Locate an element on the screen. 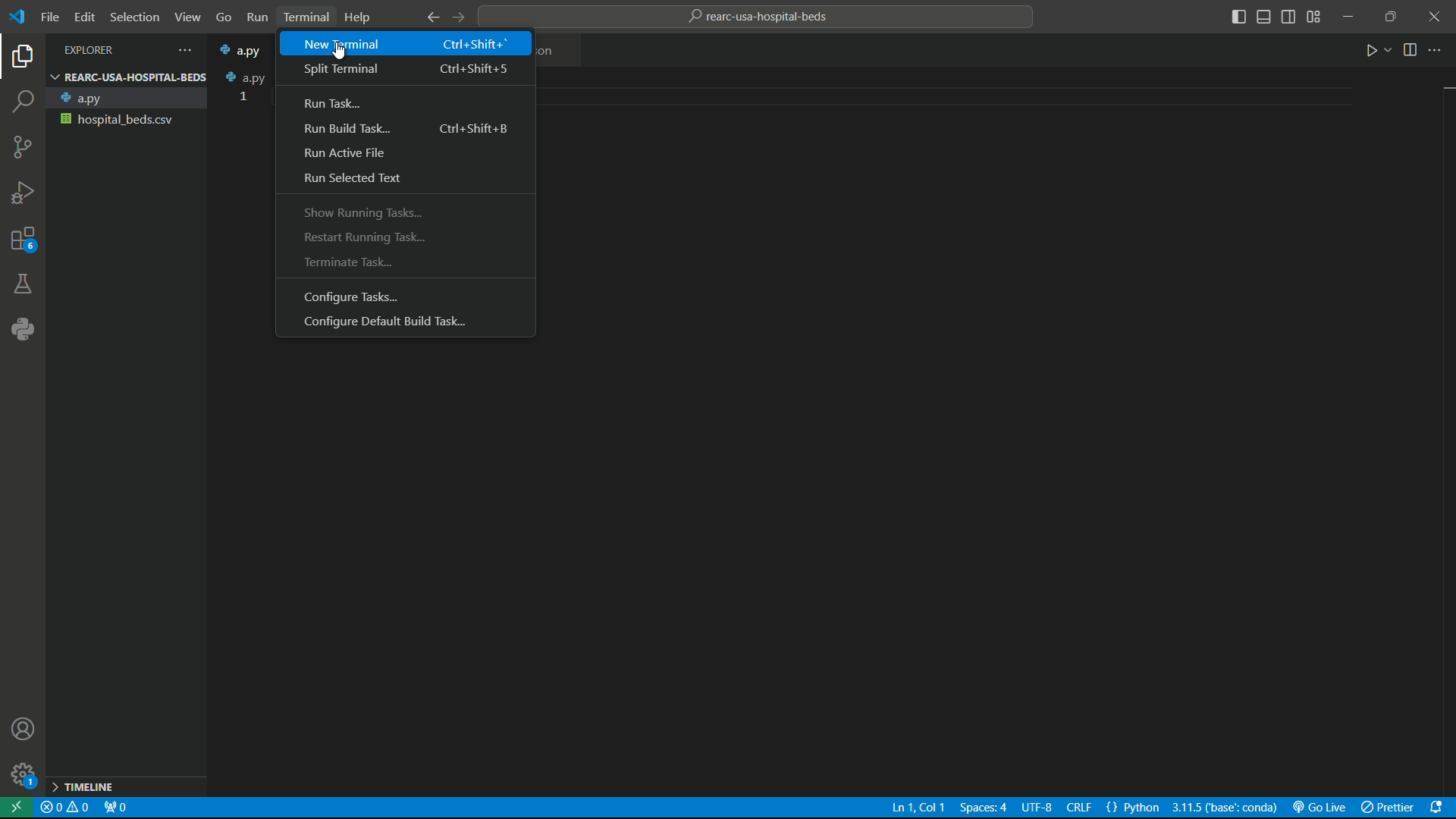 The height and width of the screenshot is (819, 1456). restart running task is located at coordinates (406, 234).